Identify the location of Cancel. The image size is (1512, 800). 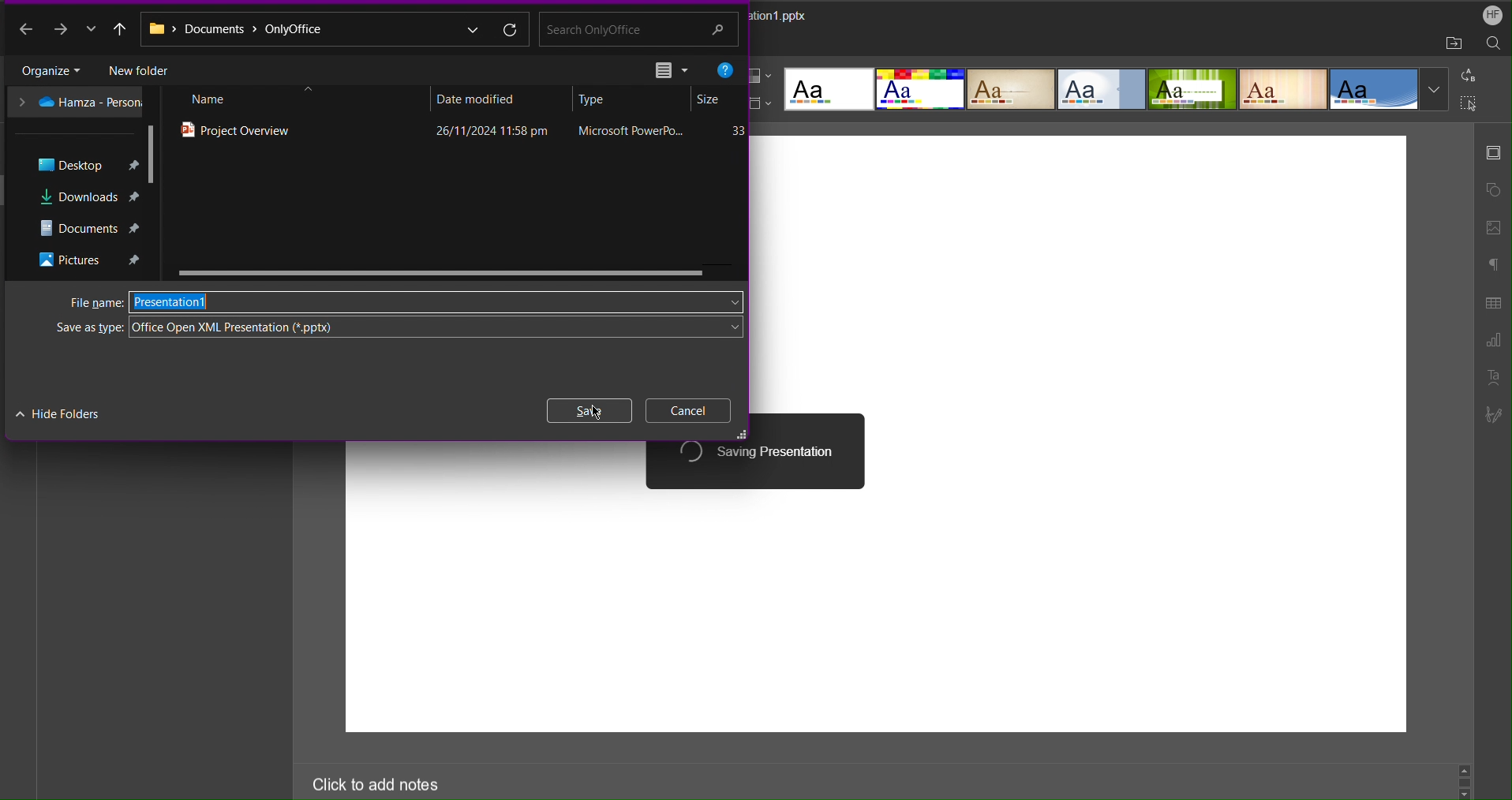
(687, 409).